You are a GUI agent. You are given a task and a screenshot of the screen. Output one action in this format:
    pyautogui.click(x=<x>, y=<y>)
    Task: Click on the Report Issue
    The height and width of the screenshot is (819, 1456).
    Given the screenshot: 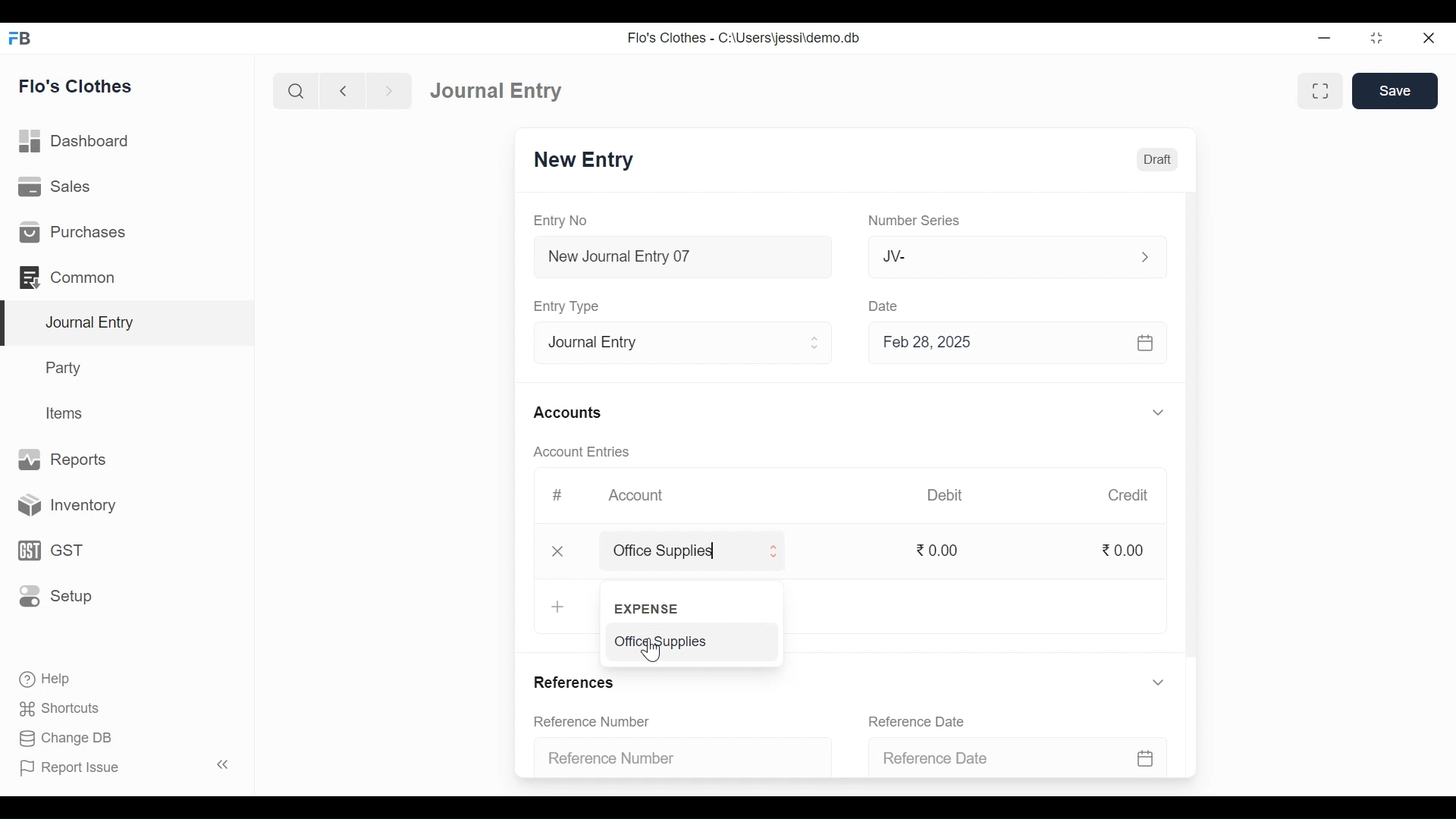 What is the action you would take?
    pyautogui.click(x=69, y=767)
    